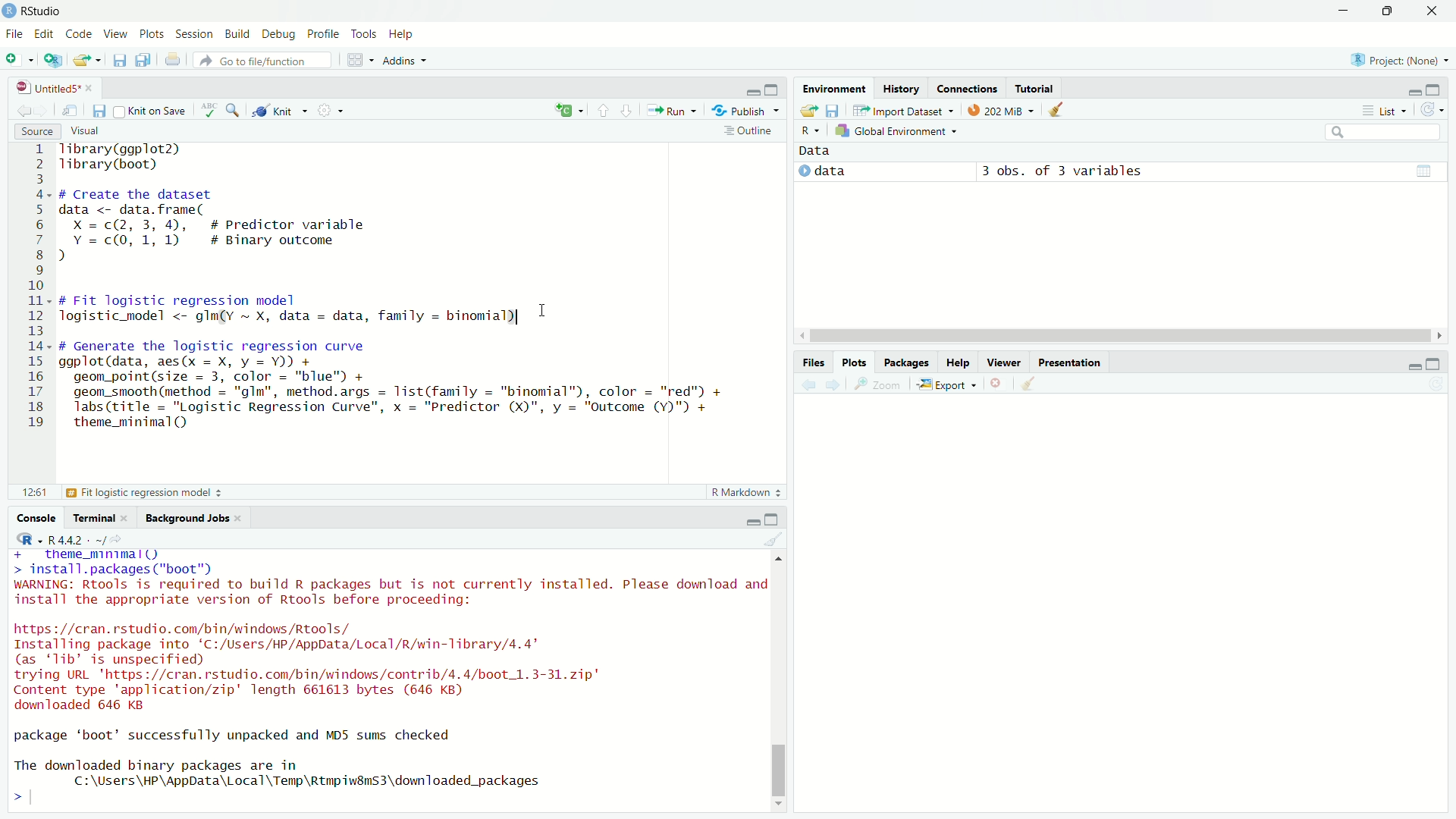 The width and height of the screenshot is (1456, 819). What do you see at coordinates (808, 111) in the screenshot?
I see `Load workspace` at bounding box center [808, 111].